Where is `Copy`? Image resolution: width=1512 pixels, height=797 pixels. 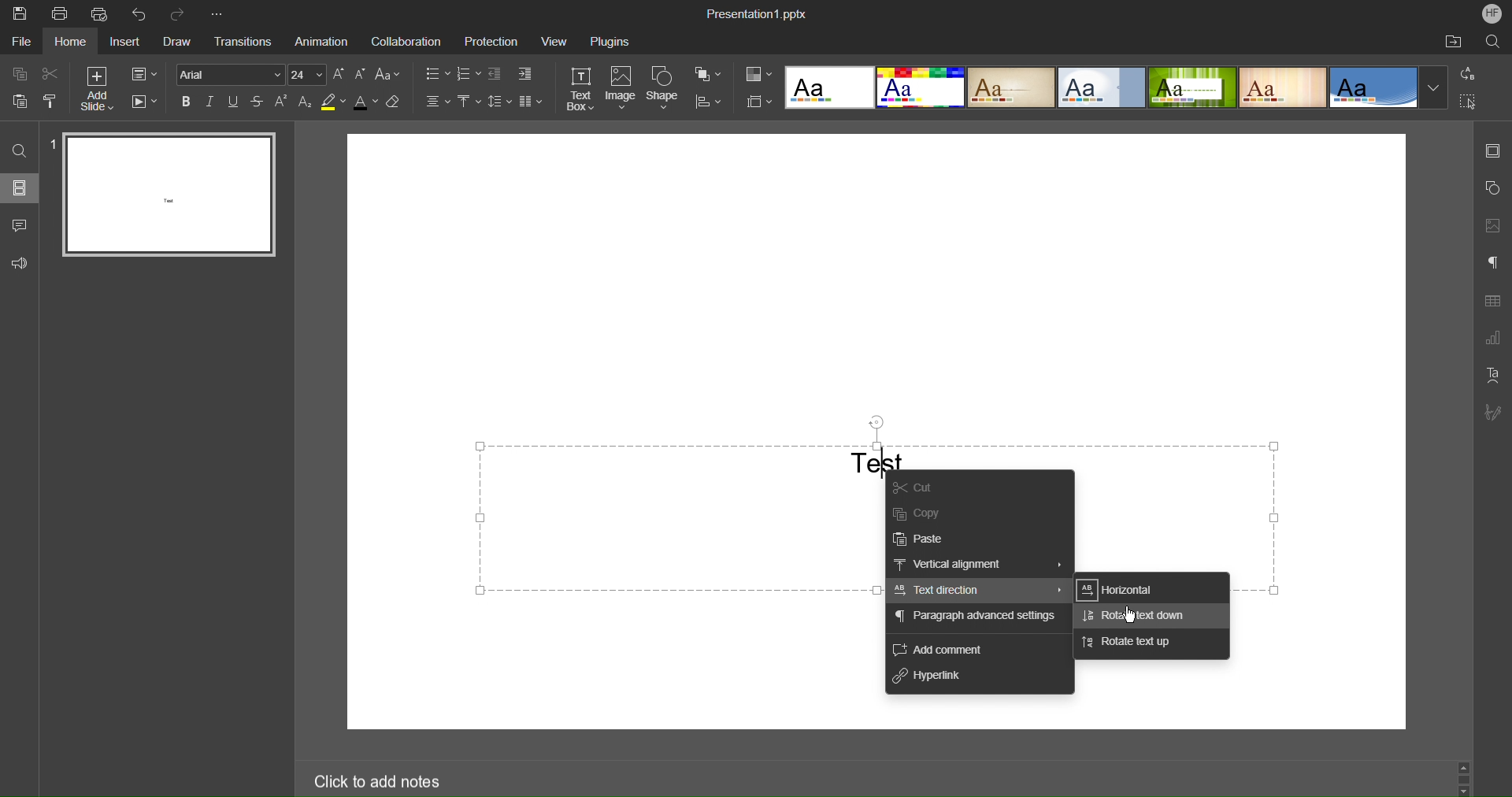
Copy is located at coordinates (930, 511).